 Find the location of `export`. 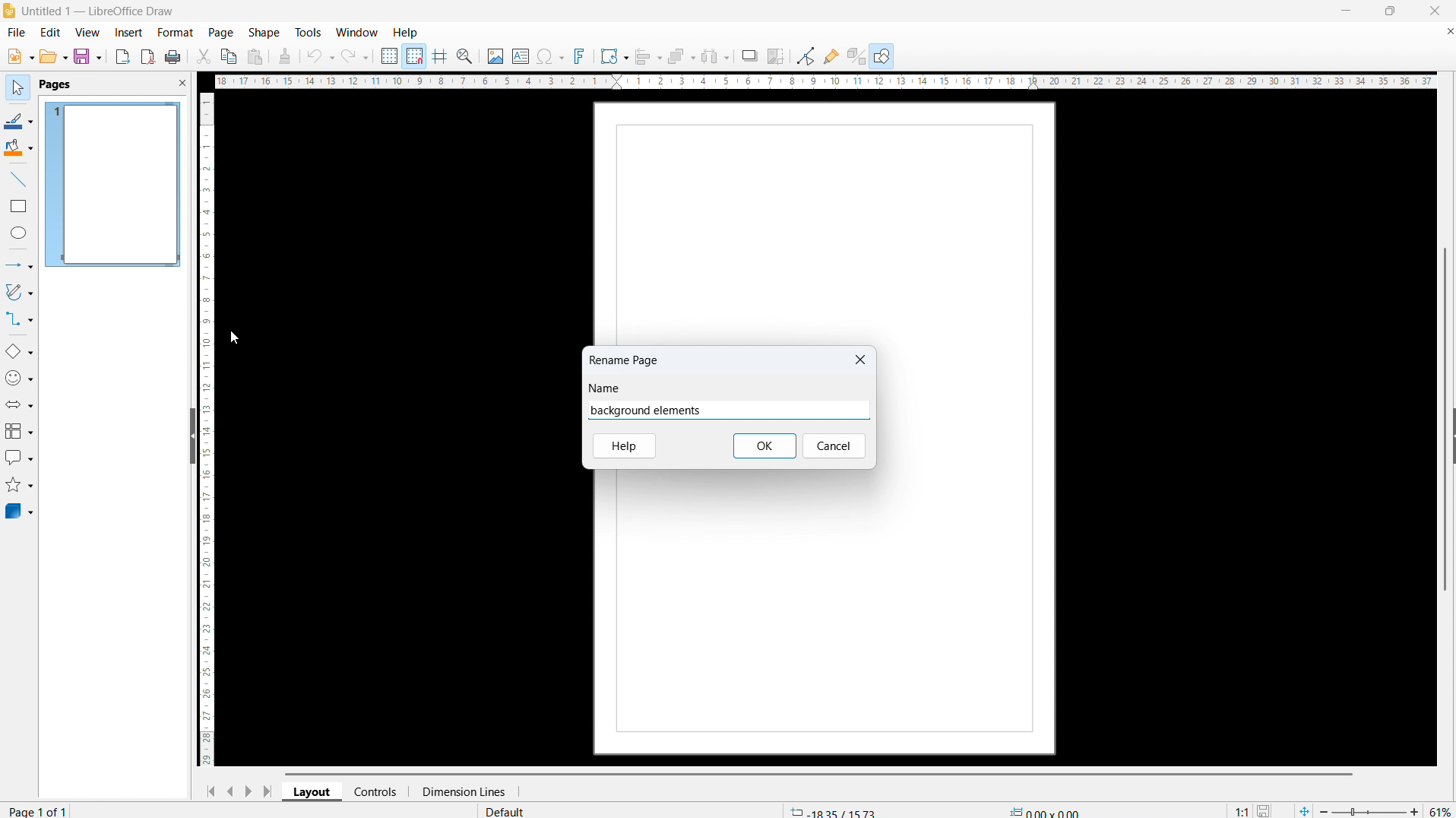

export is located at coordinates (123, 57).